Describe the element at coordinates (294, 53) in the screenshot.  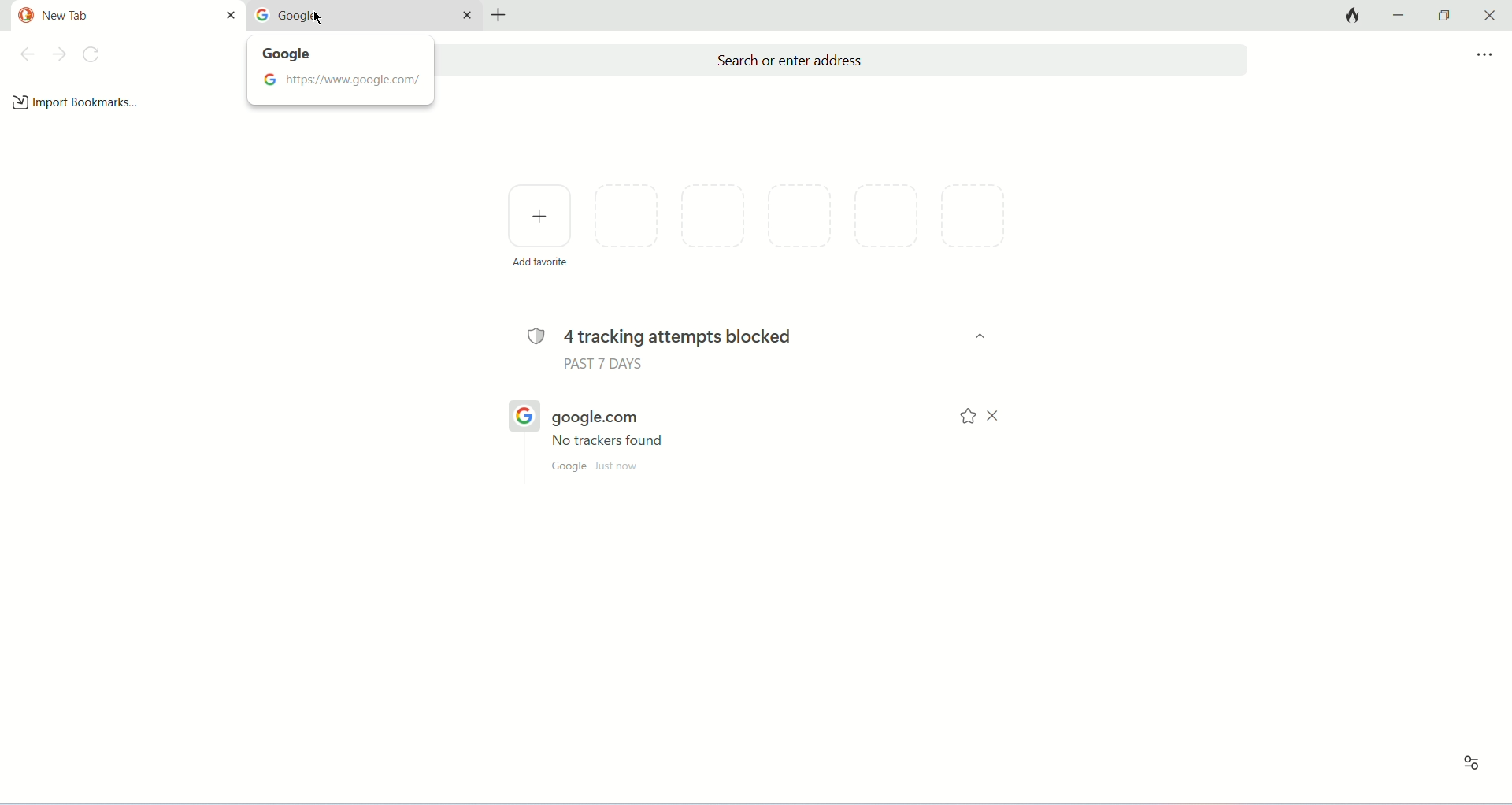
I see `google tooltips` at that location.